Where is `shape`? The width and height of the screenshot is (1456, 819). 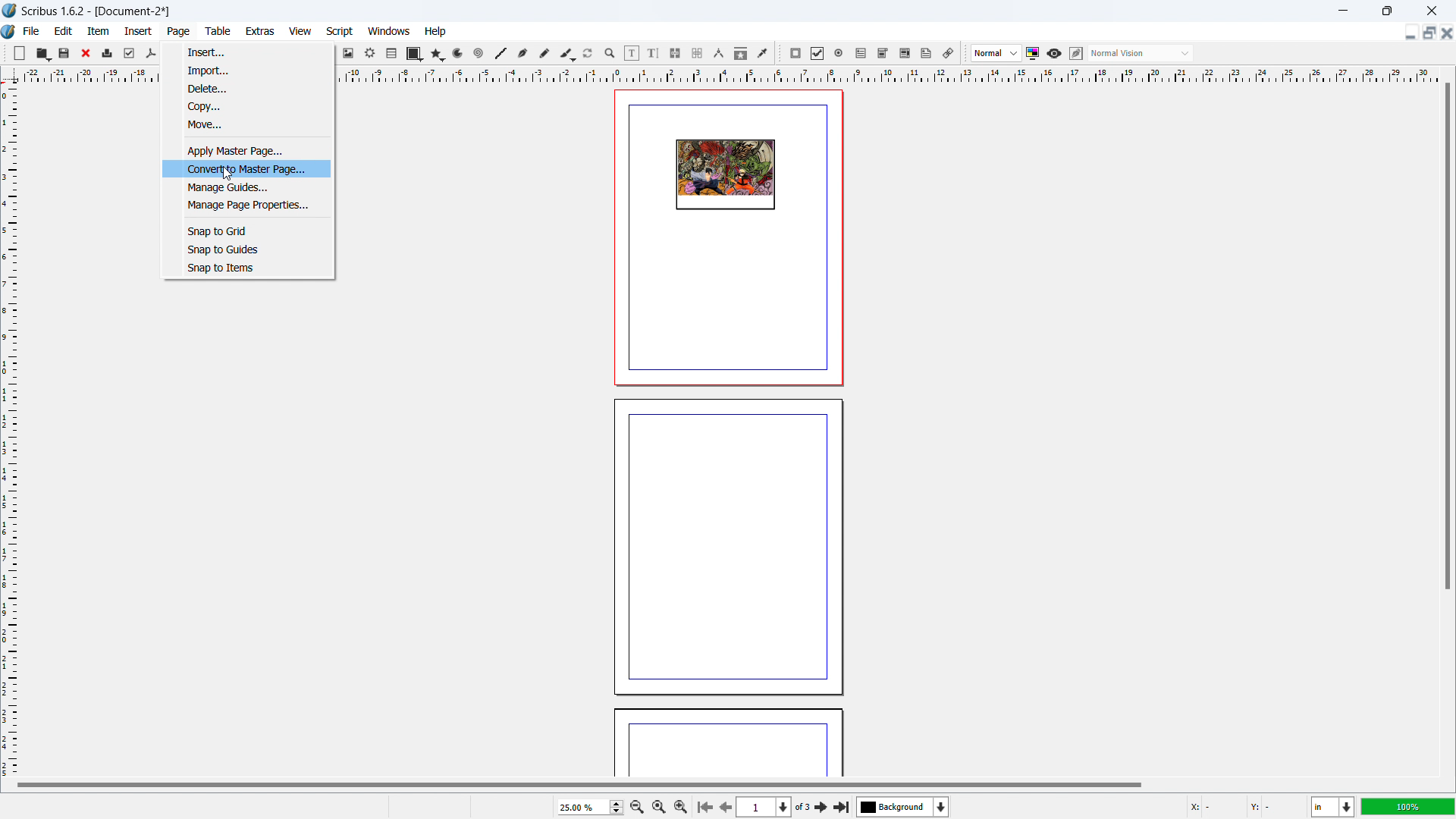 shape is located at coordinates (415, 54).